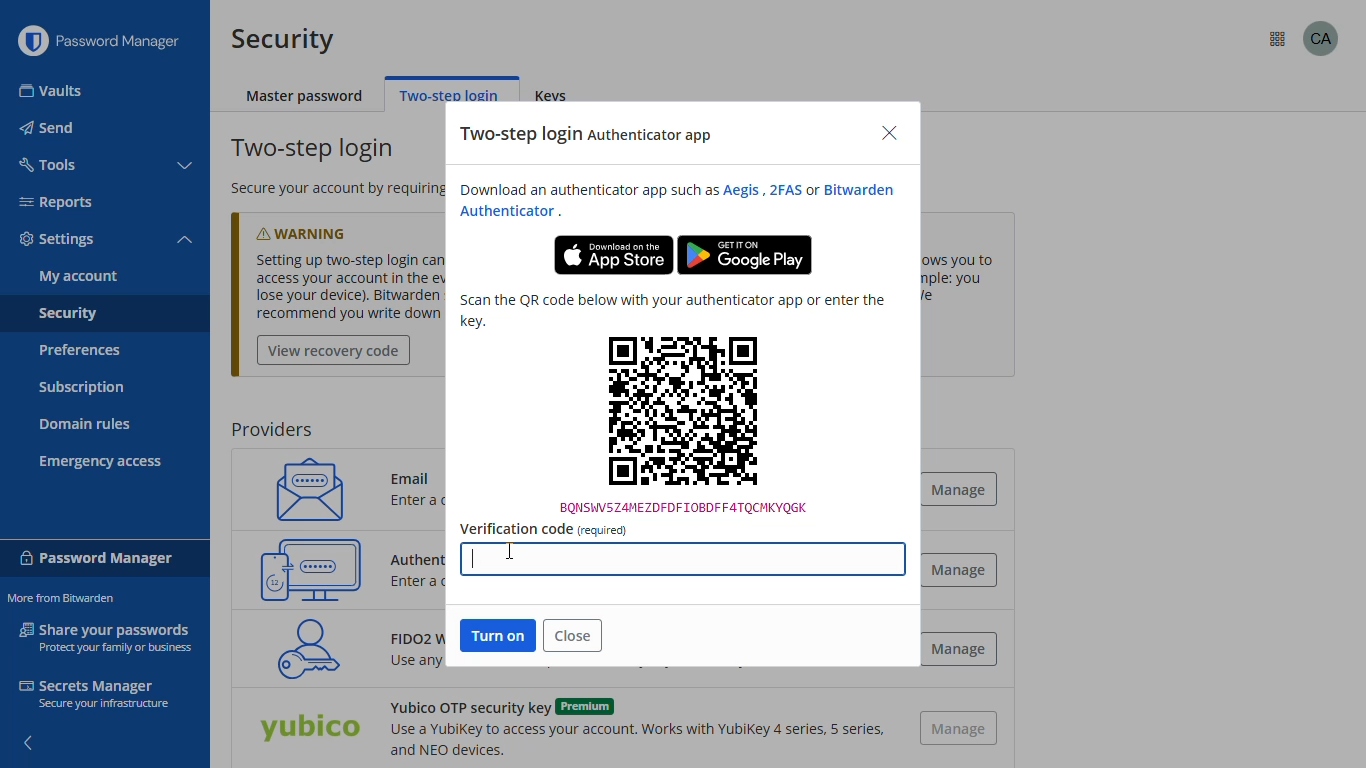 This screenshot has width=1366, height=768. Describe the element at coordinates (863, 189) in the screenshot. I see `Bitwarden` at that location.